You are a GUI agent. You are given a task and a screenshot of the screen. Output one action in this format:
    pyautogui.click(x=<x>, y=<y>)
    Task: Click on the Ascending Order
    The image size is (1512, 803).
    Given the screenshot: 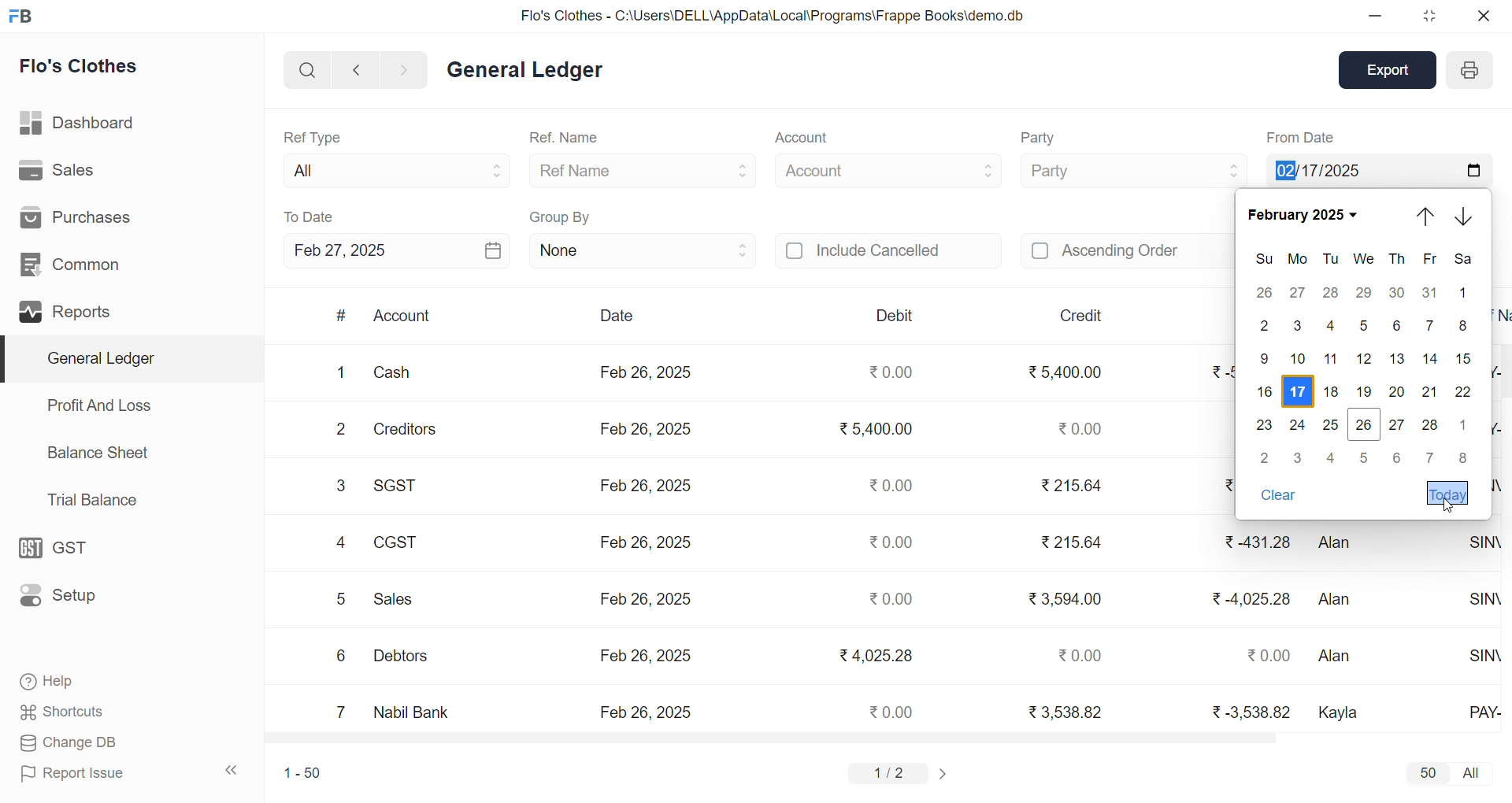 What is the action you would take?
    pyautogui.click(x=1126, y=249)
    